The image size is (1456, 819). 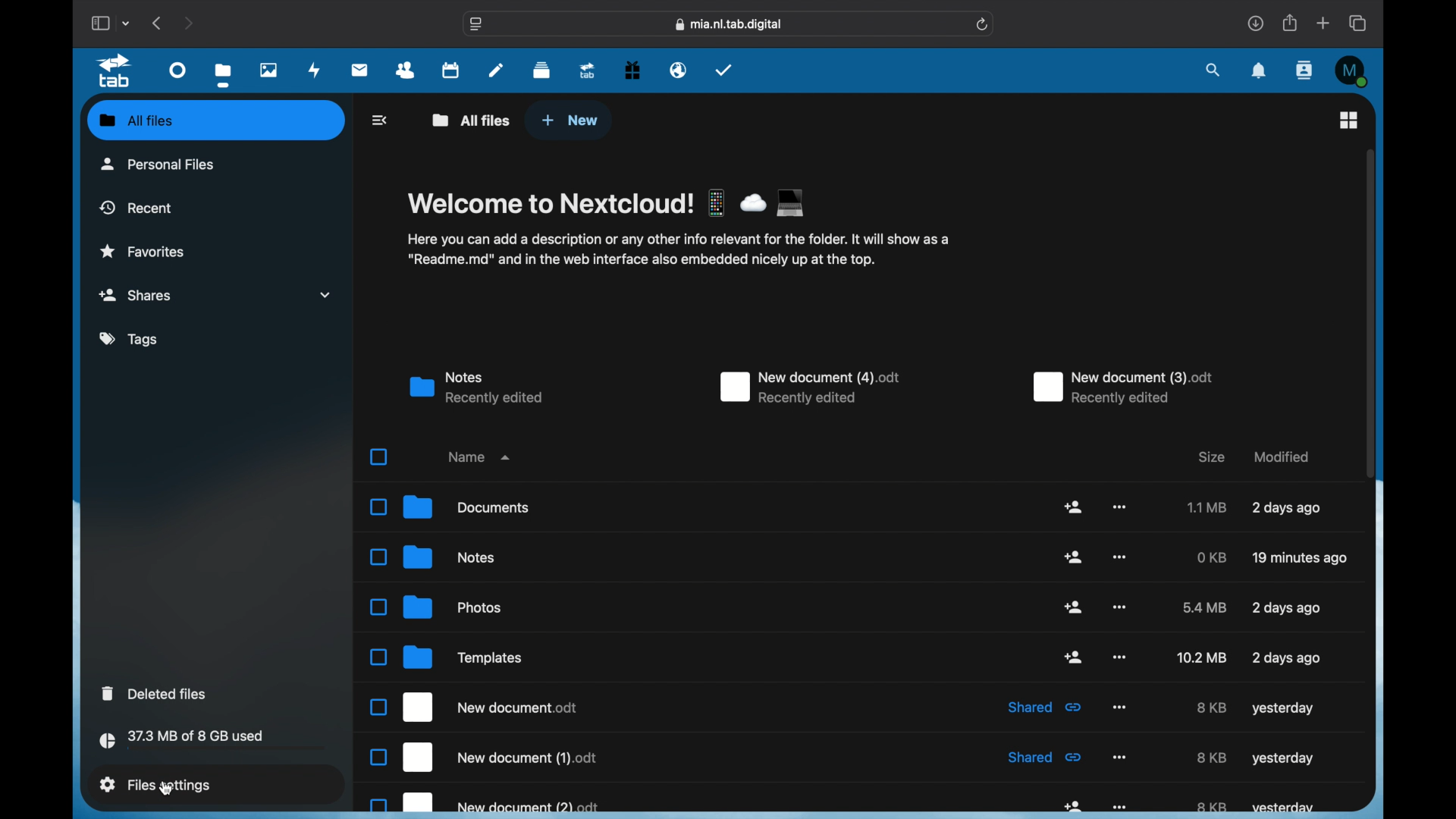 What do you see at coordinates (811, 388) in the screenshot?
I see `new document` at bounding box center [811, 388].